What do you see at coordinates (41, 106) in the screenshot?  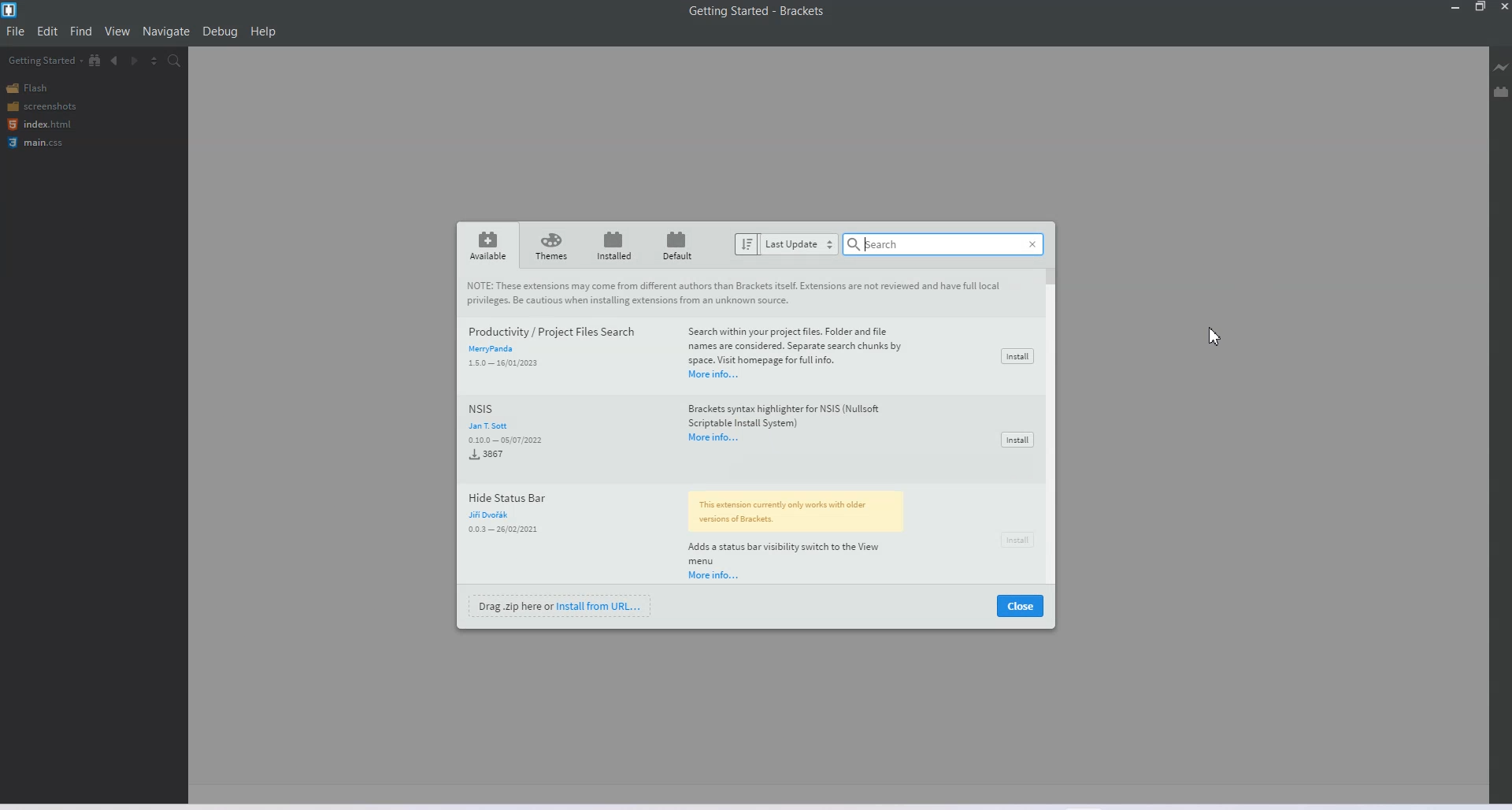 I see `Screenshots` at bounding box center [41, 106].